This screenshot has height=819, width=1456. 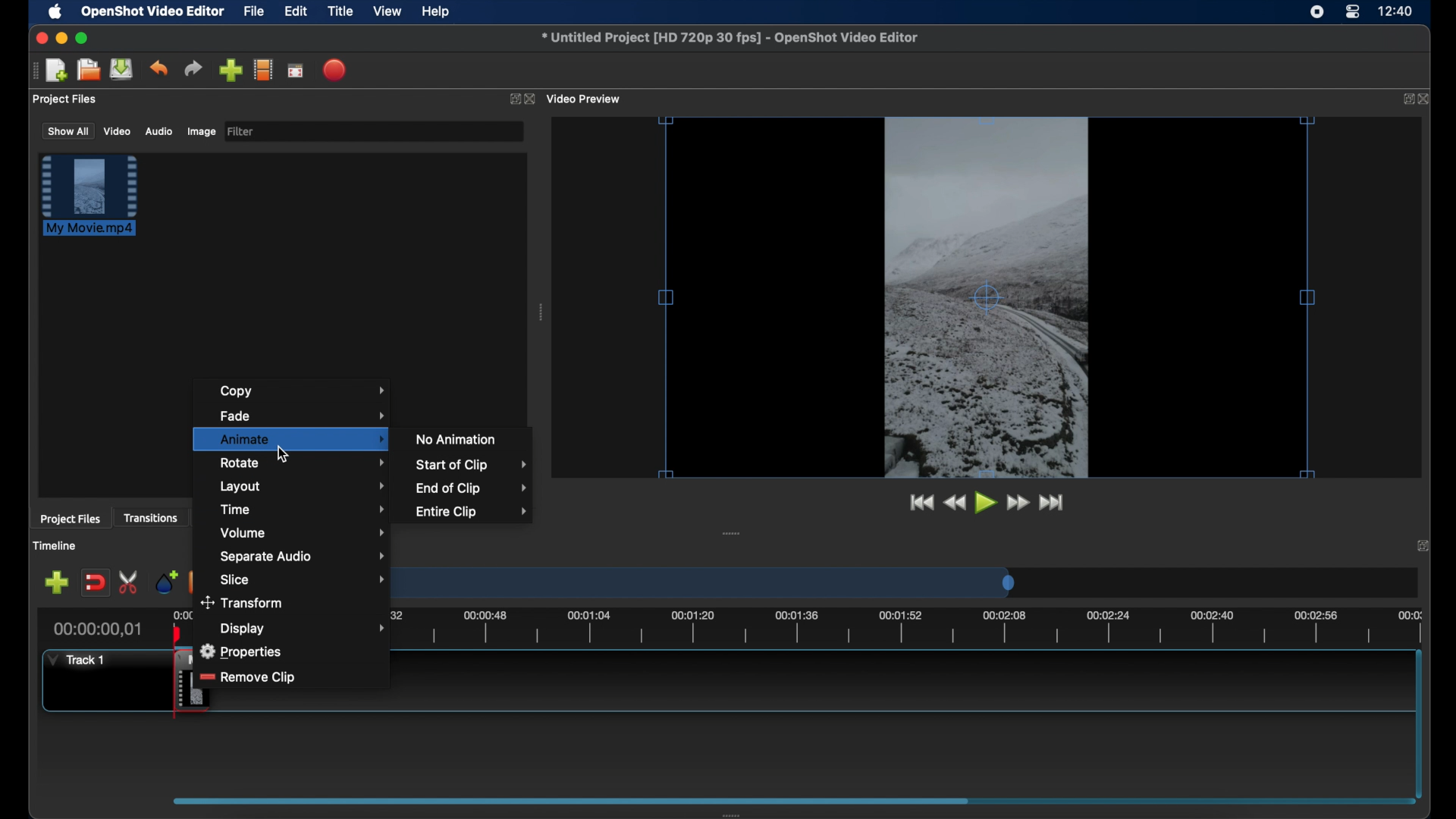 I want to click on file name, so click(x=730, y=37).